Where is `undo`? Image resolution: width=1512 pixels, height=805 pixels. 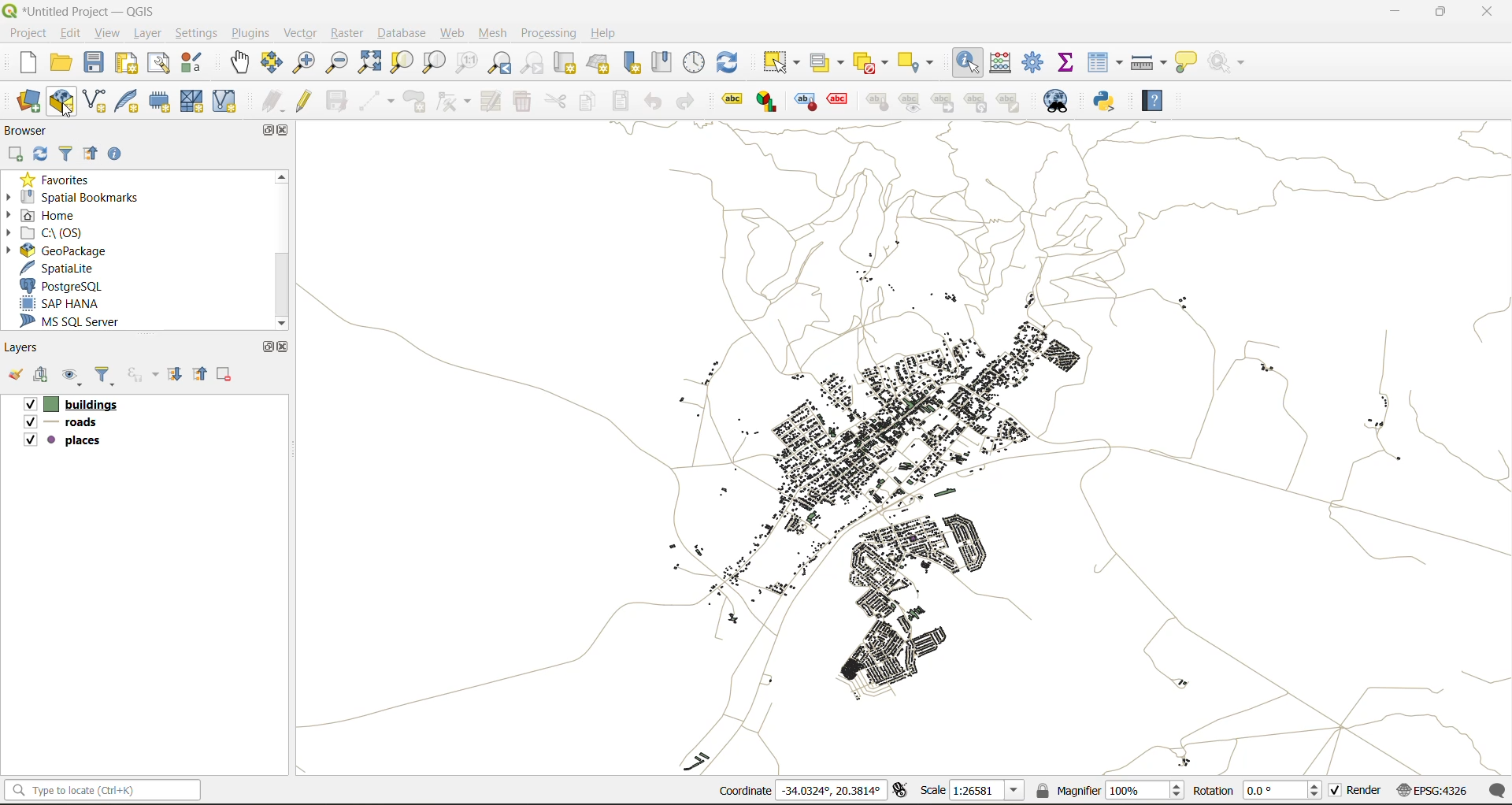
undo is located at coordinates (654, 102).